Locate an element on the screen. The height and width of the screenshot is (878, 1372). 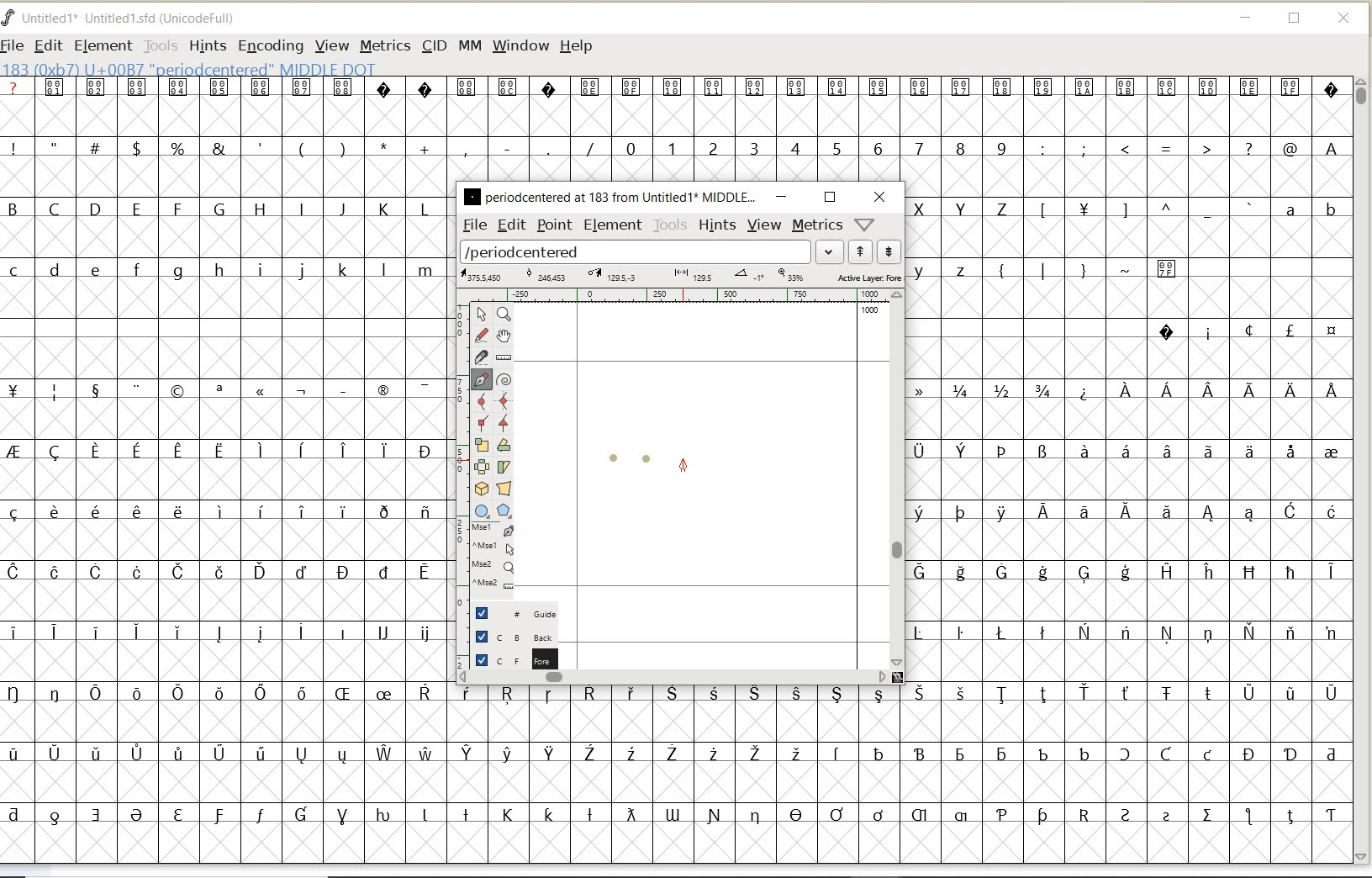
scrollbar is located at coordinates (673, 677).